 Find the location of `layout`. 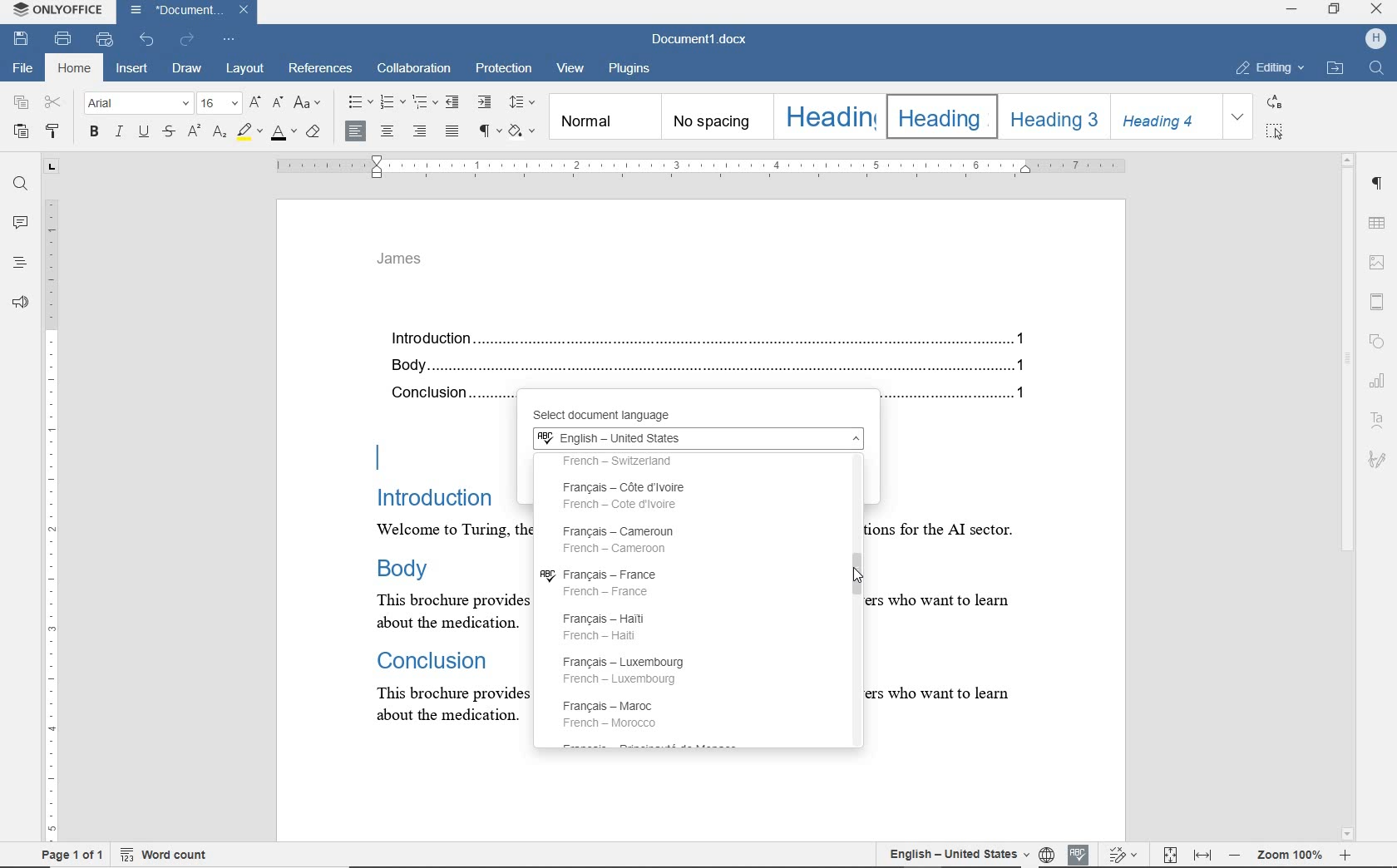

layout is located at coordinates (245, 70).